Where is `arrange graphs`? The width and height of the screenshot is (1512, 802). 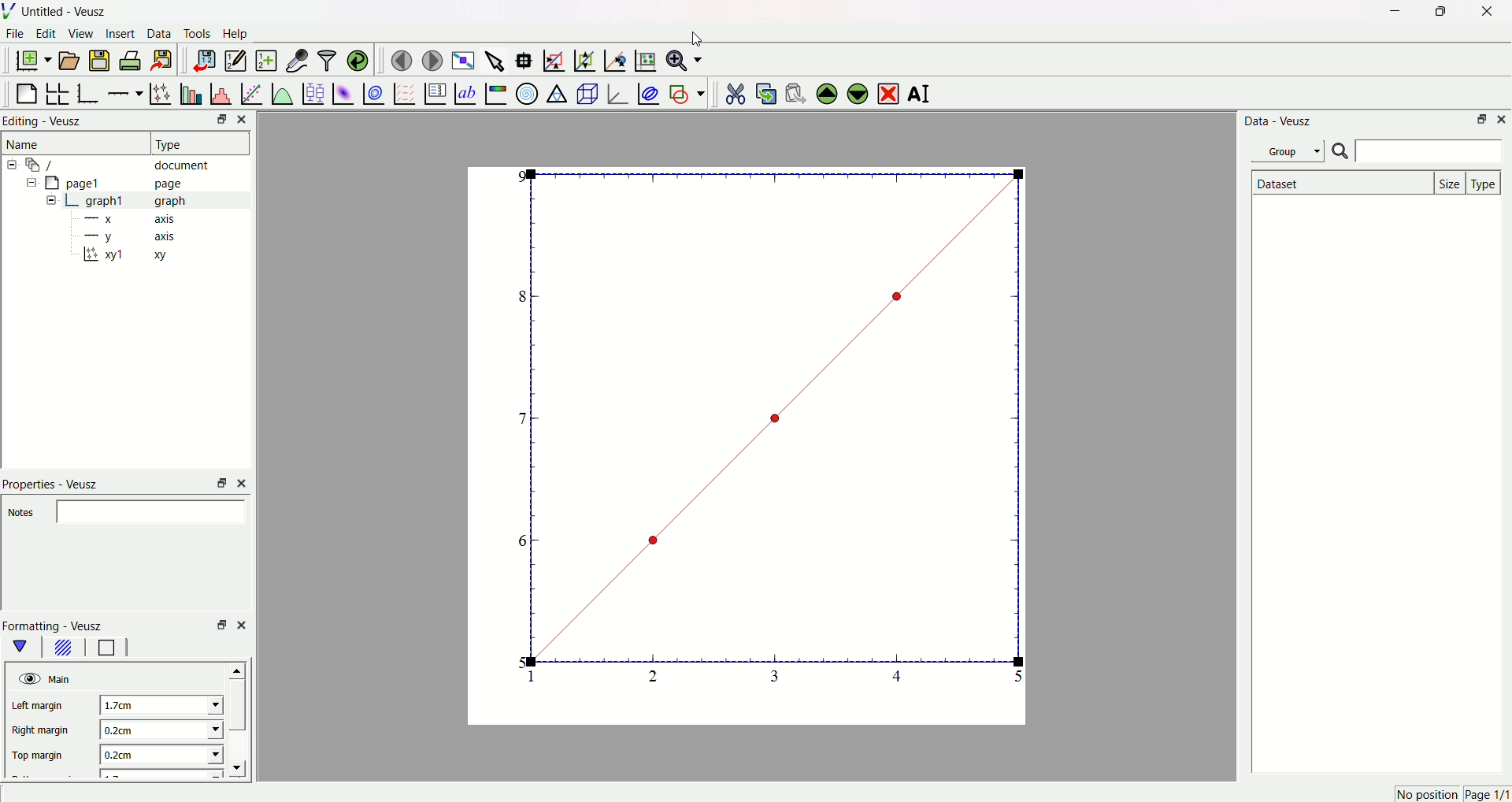
arrange graphs is located at coordinates (60, 91).